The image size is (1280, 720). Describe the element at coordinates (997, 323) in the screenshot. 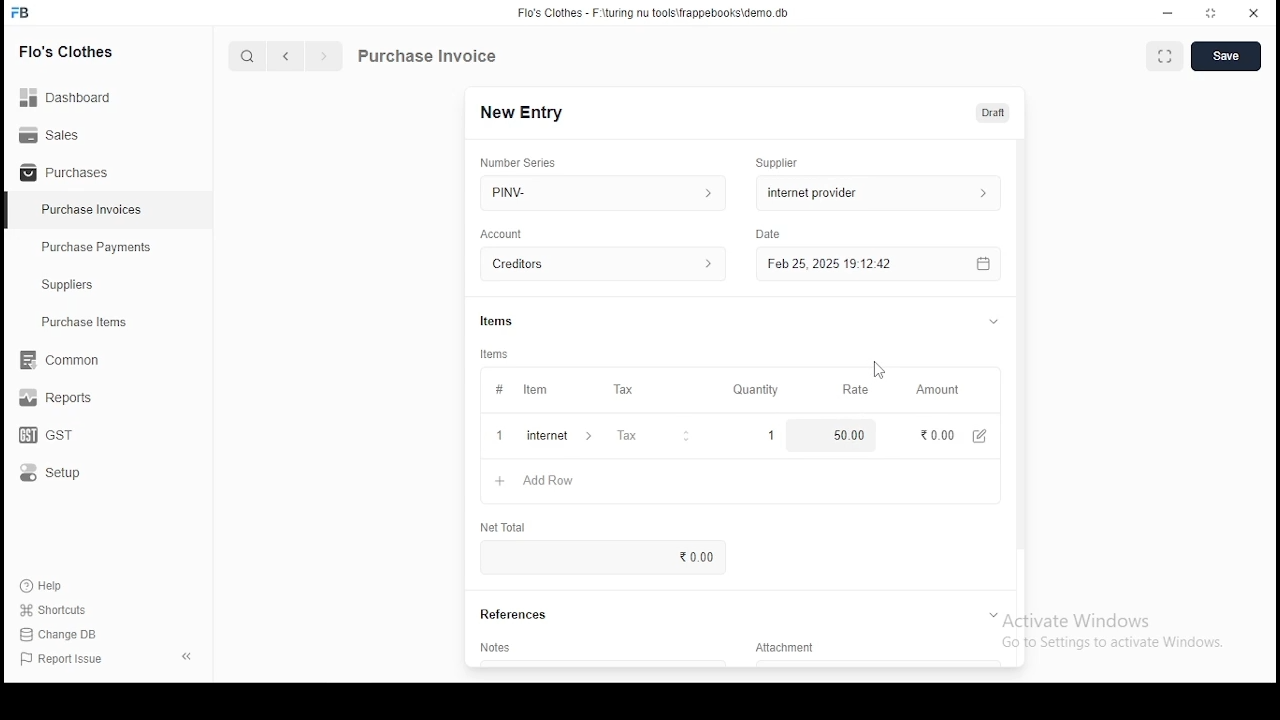

I see `tab` at that location.